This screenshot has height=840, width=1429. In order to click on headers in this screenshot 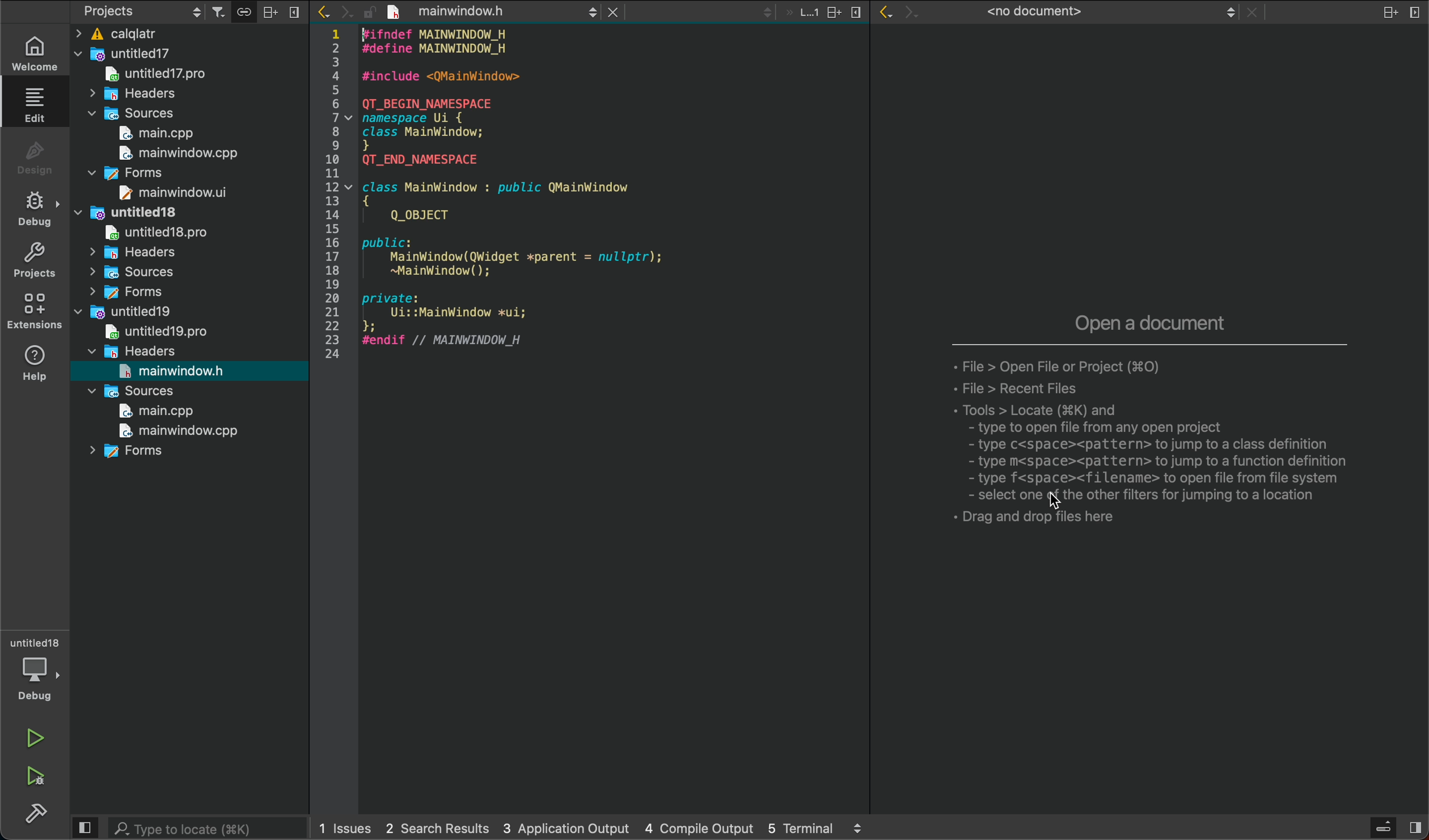, I will do `click(144, 94)`.